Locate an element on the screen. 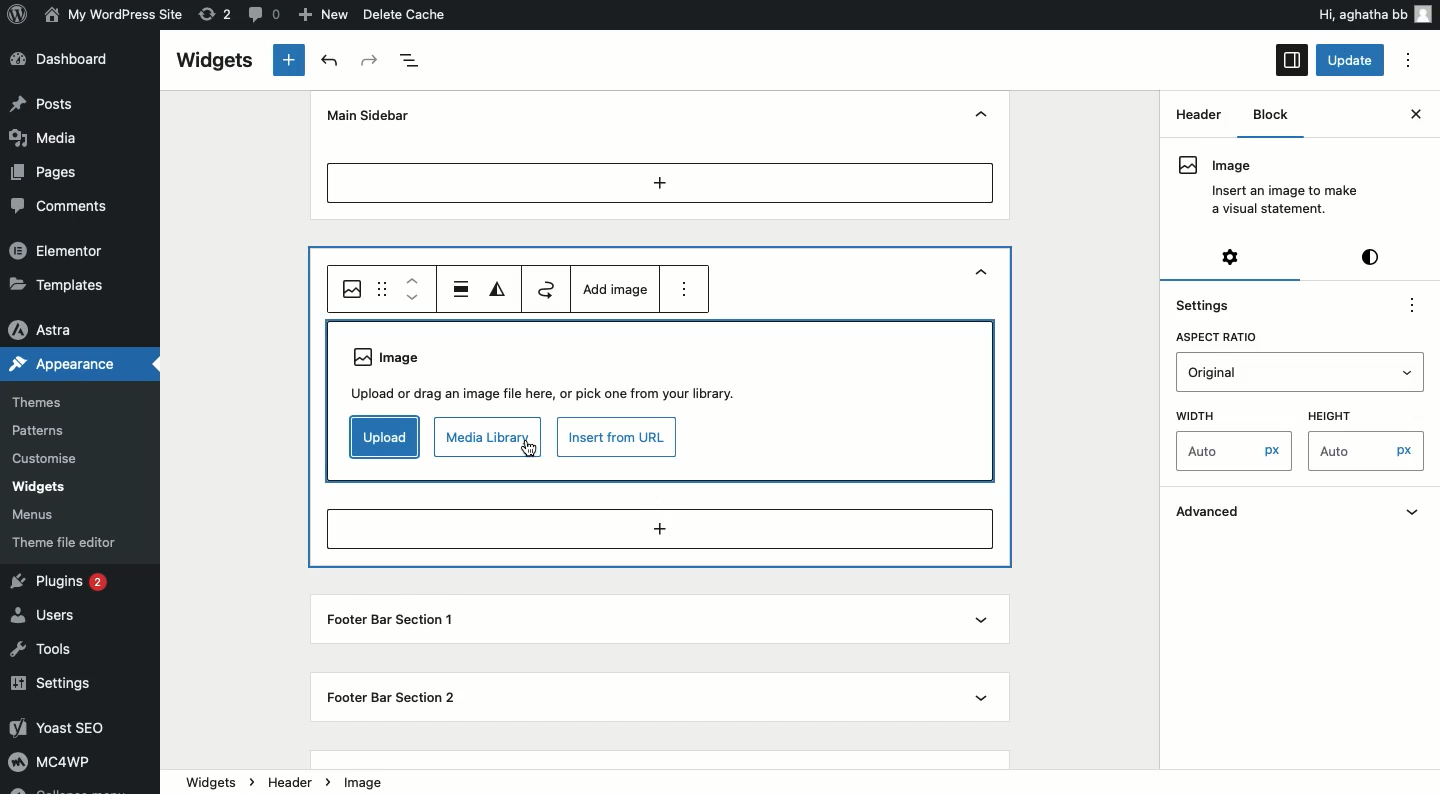 Image resolution: width=1440 pixels, height=794 pixels. Menus is located at coordinates (36, 516).